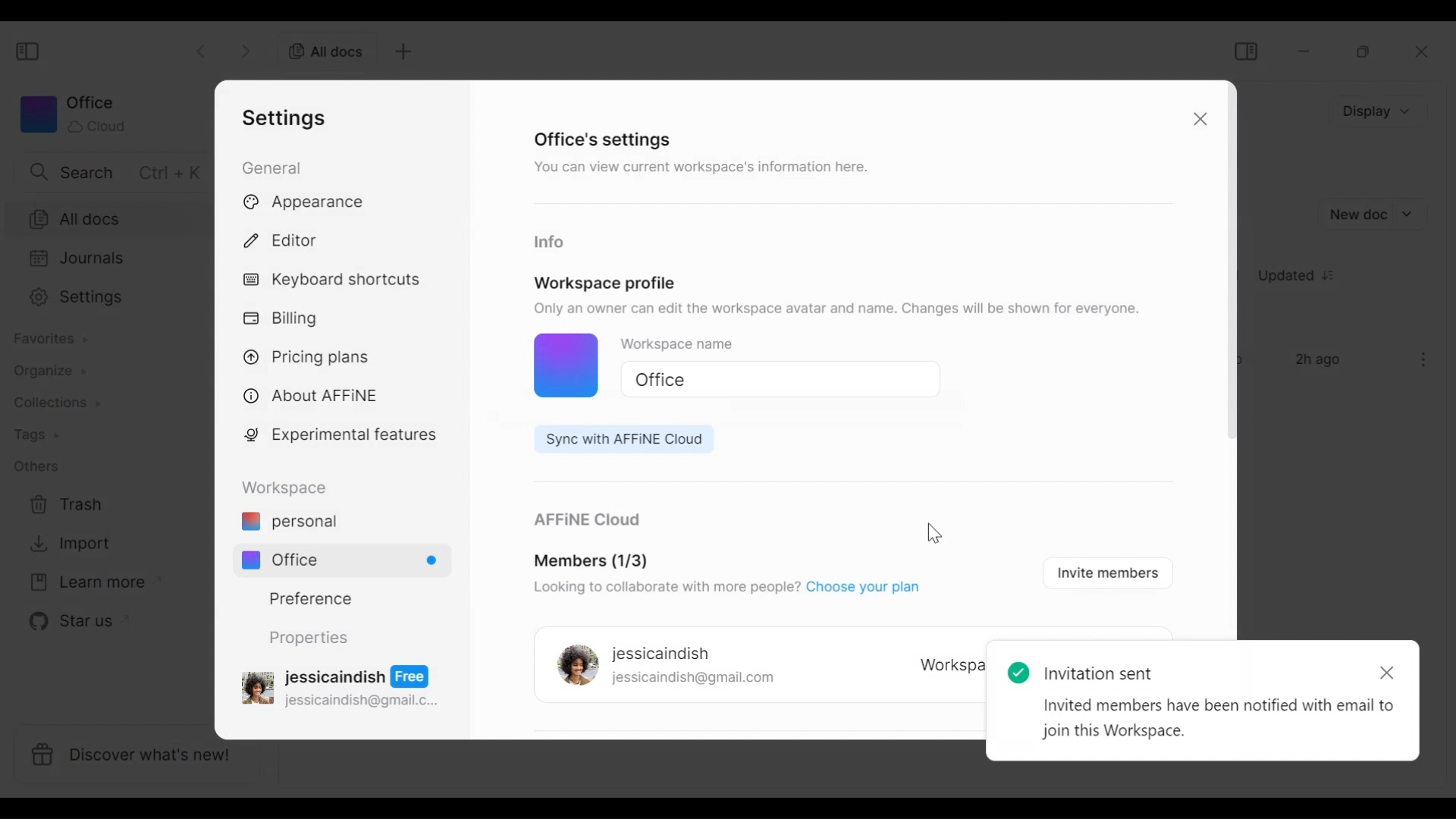  What do you see at coordinates (284, 319) in the screenshot?
I see `Biling` at bounding box center [284, 319].